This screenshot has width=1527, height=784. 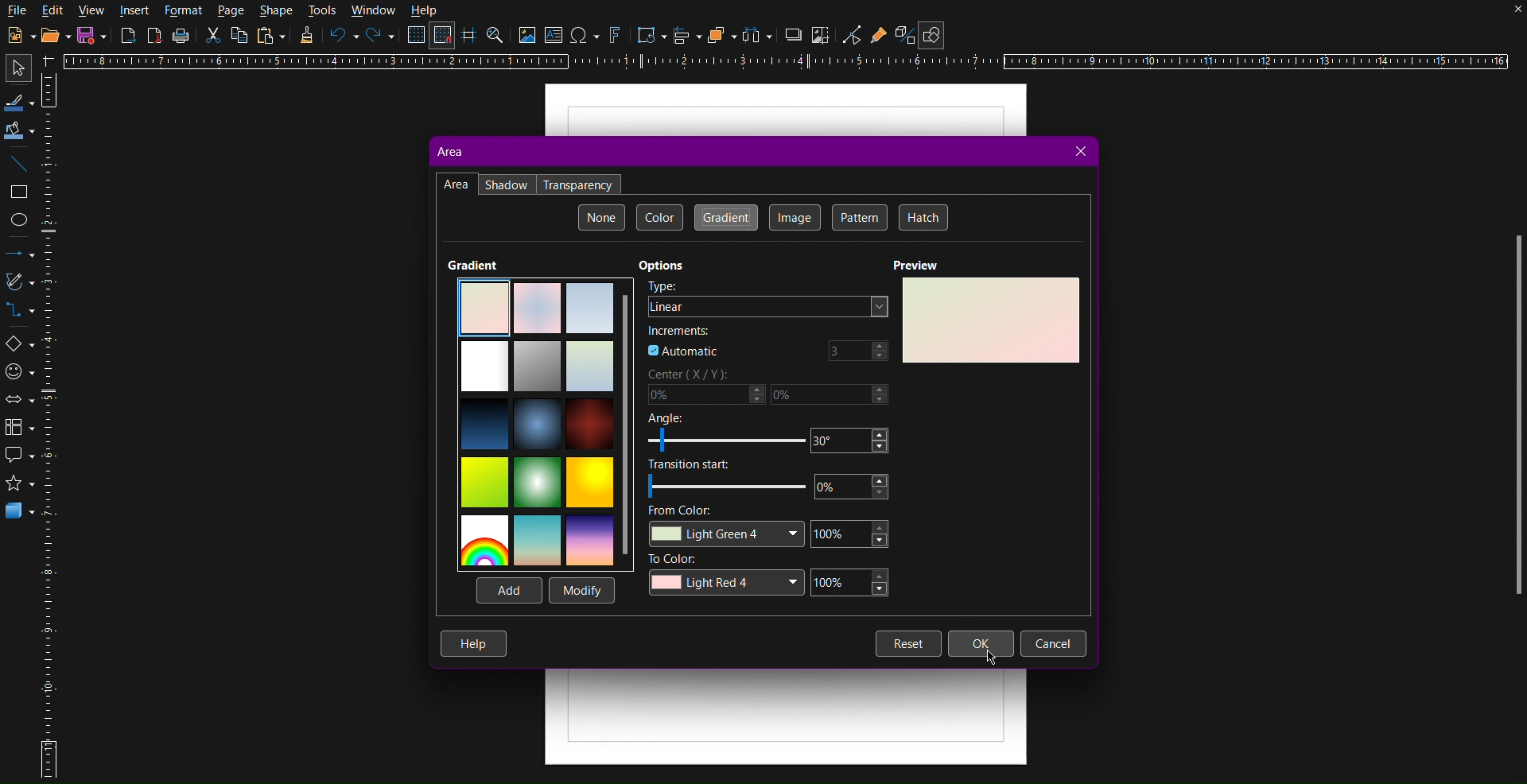 I want to click on Center (X/Y) %, so click(x=771, y=388).